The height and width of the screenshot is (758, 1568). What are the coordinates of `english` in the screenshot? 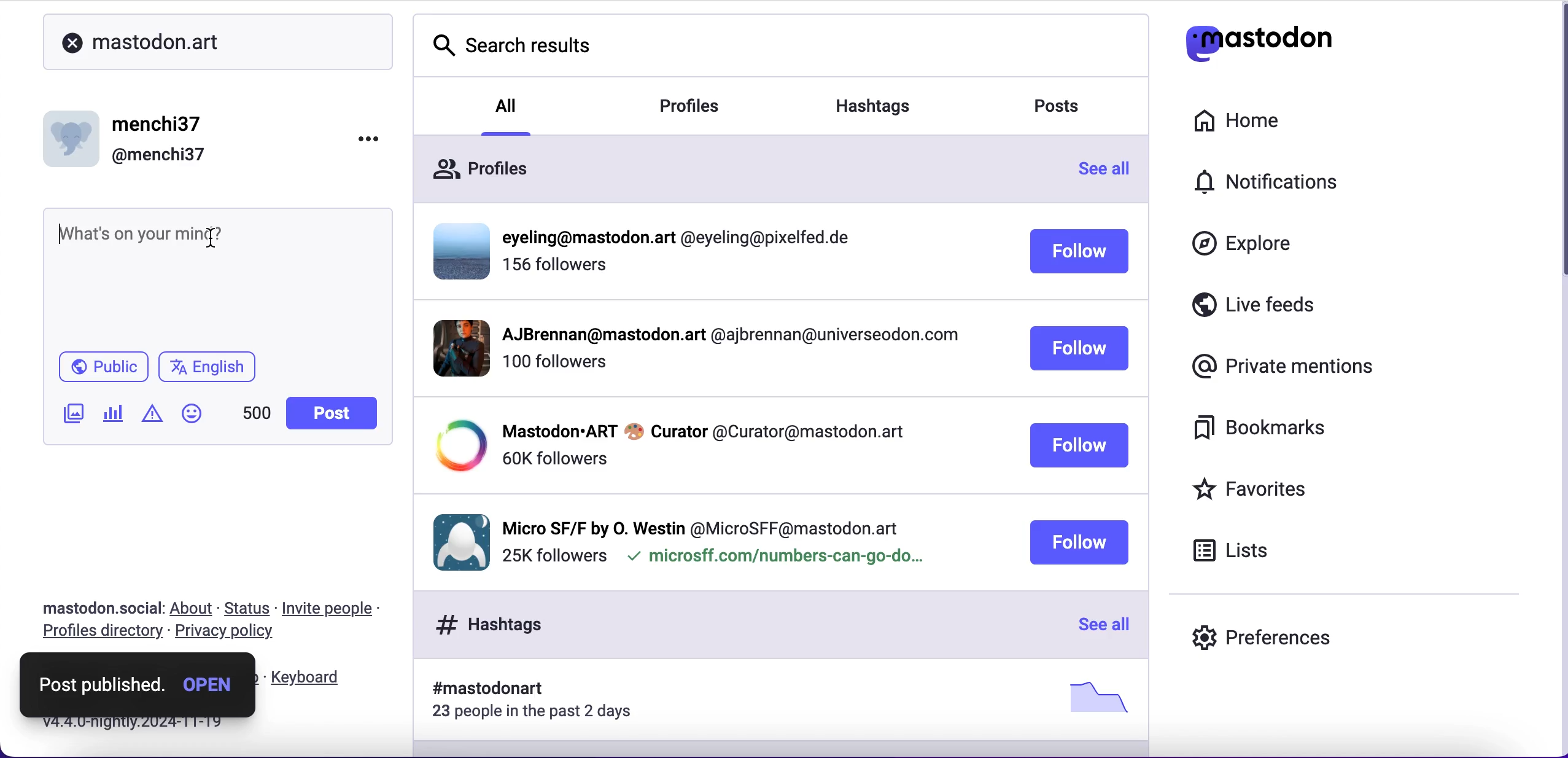 It's located at (209, 369).